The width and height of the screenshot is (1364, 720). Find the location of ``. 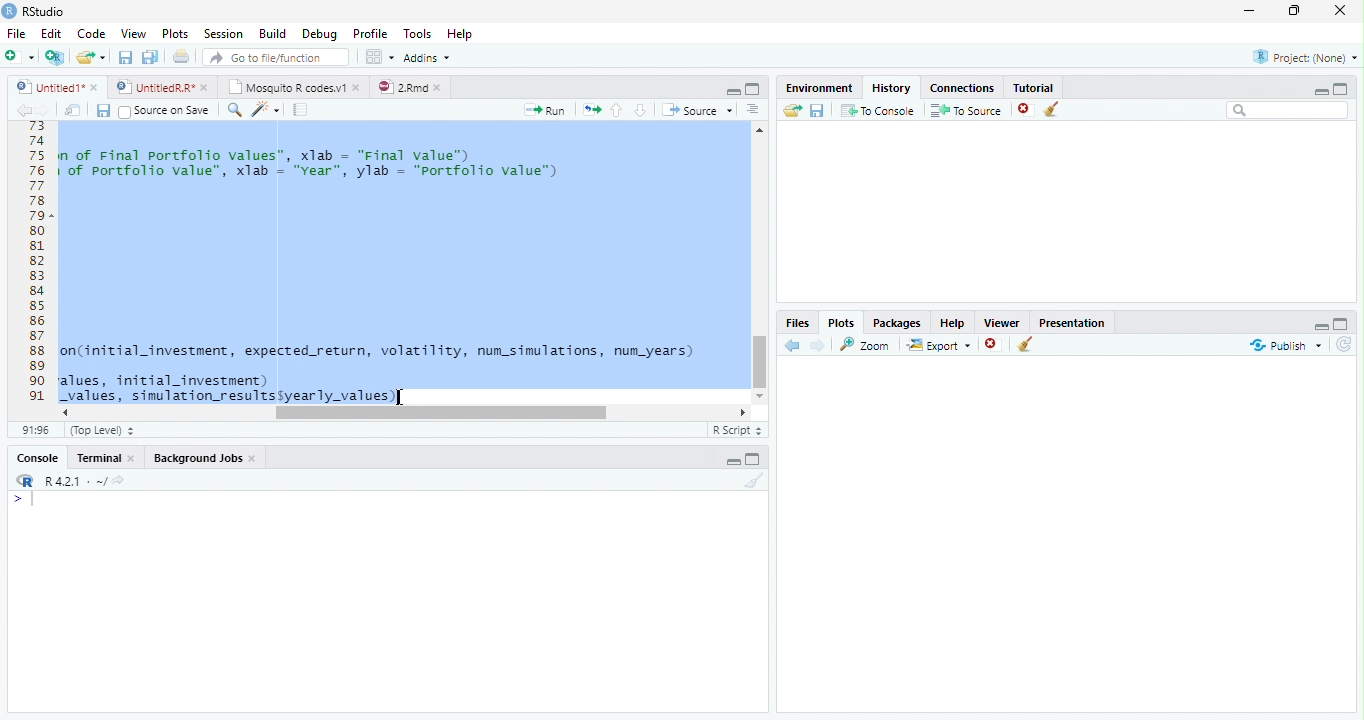

 is located at coordinates (732, 89).